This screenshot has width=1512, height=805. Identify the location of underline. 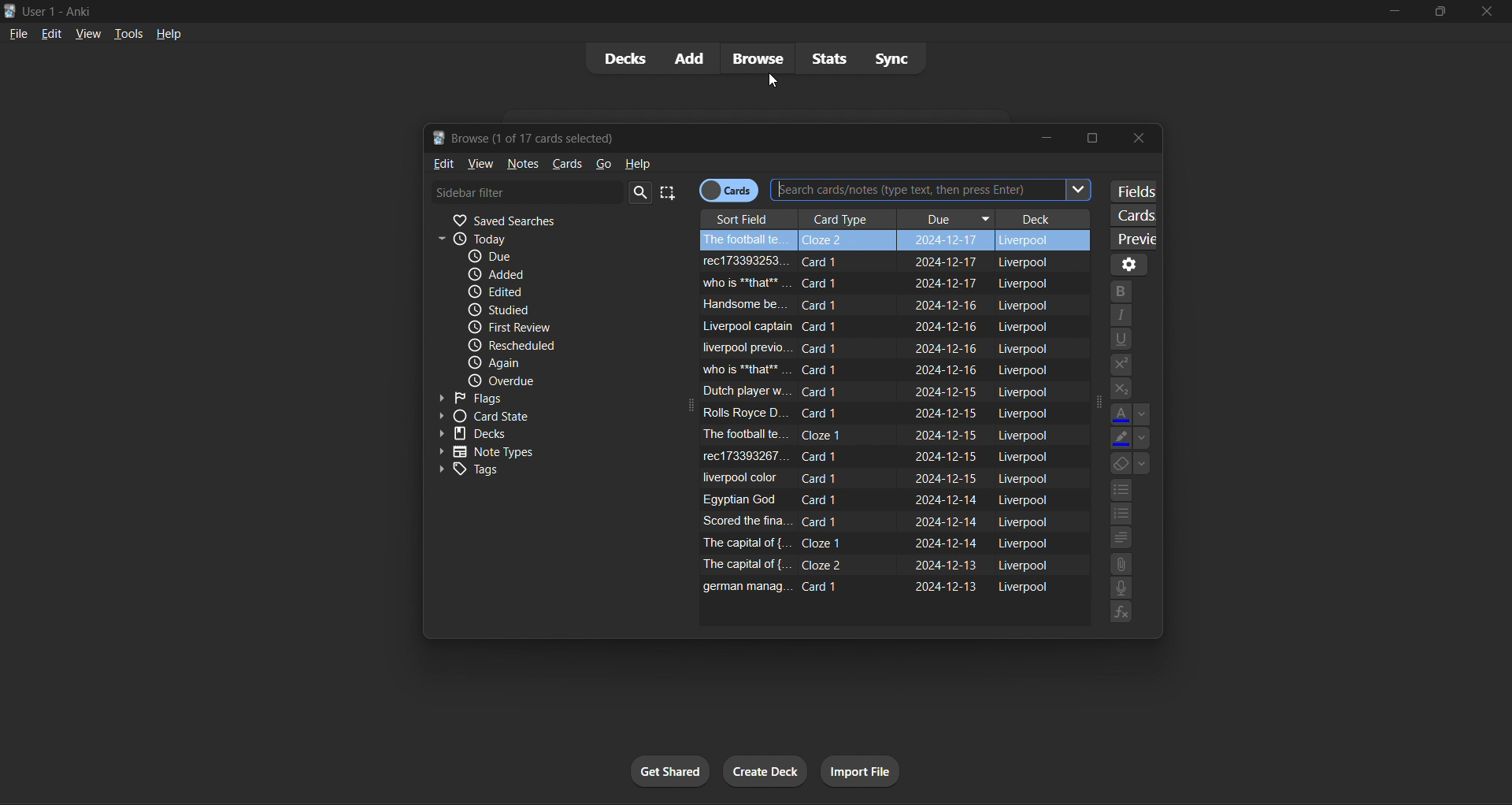
(1127, 338).